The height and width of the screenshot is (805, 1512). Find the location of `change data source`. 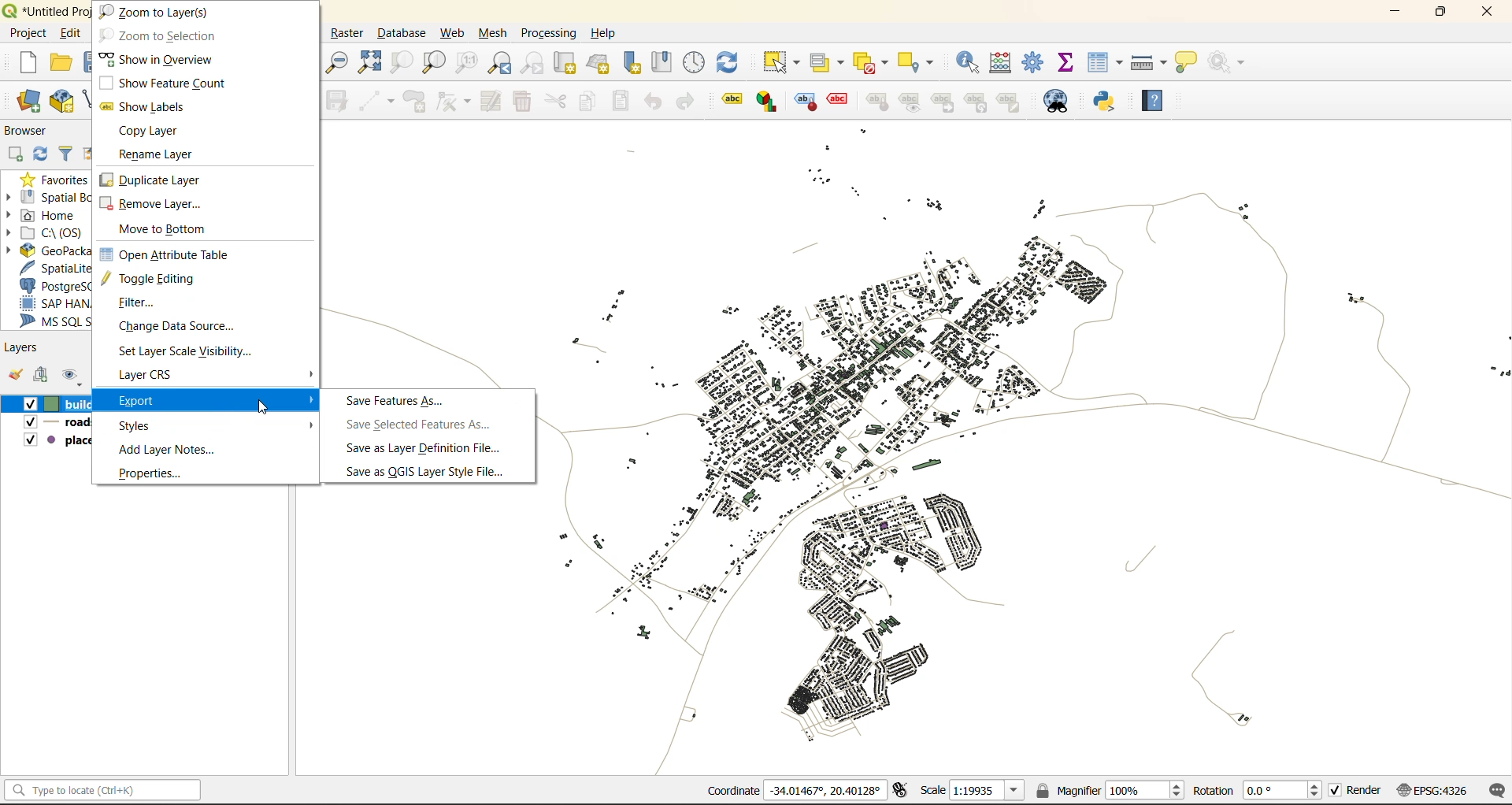

change data source is located at coordinates (179, 325).